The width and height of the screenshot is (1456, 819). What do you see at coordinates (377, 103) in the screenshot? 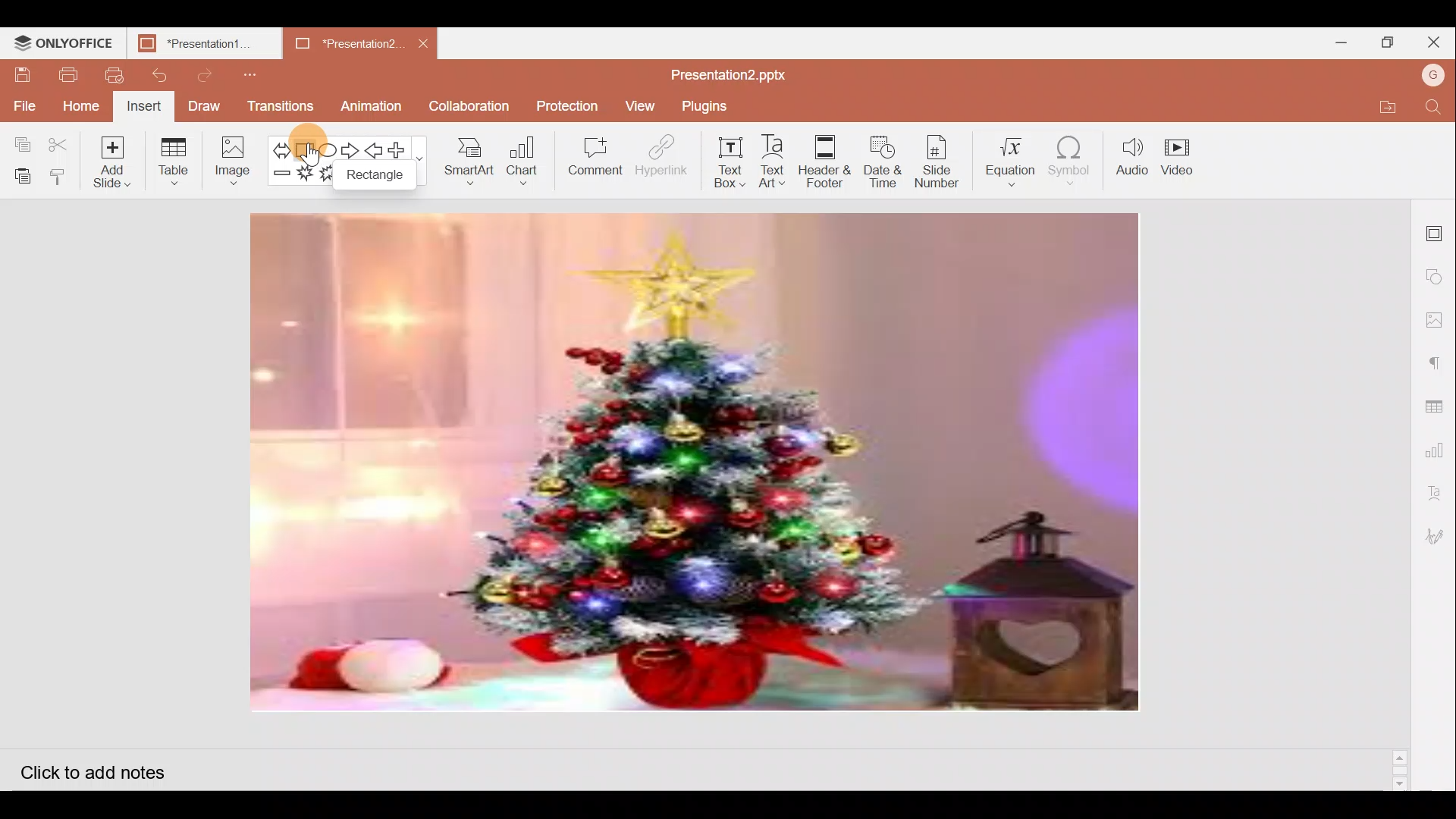
I see `Animation` at bounding box center [377, 103].